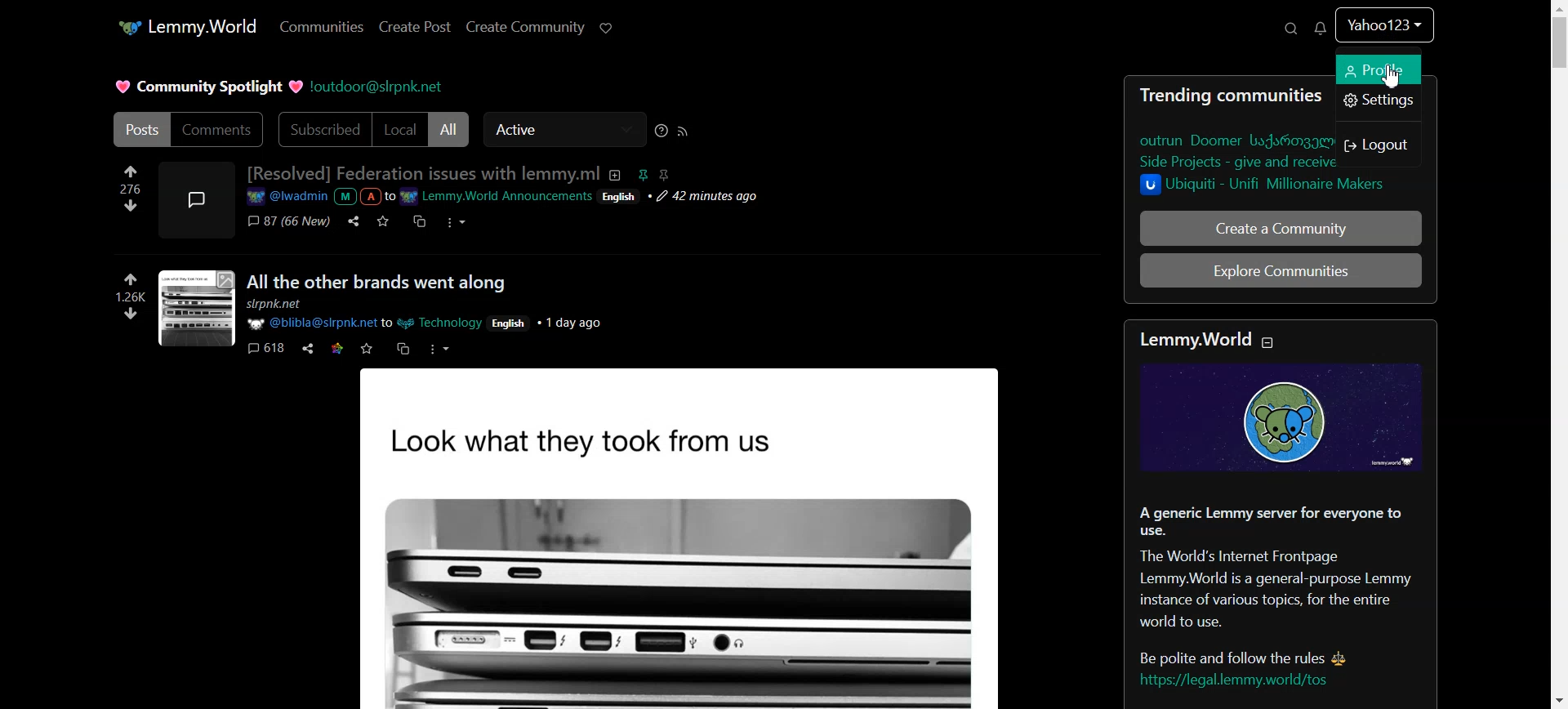 This screenshot has width=1568, height=709. I want to click on link, so click(336, 349).